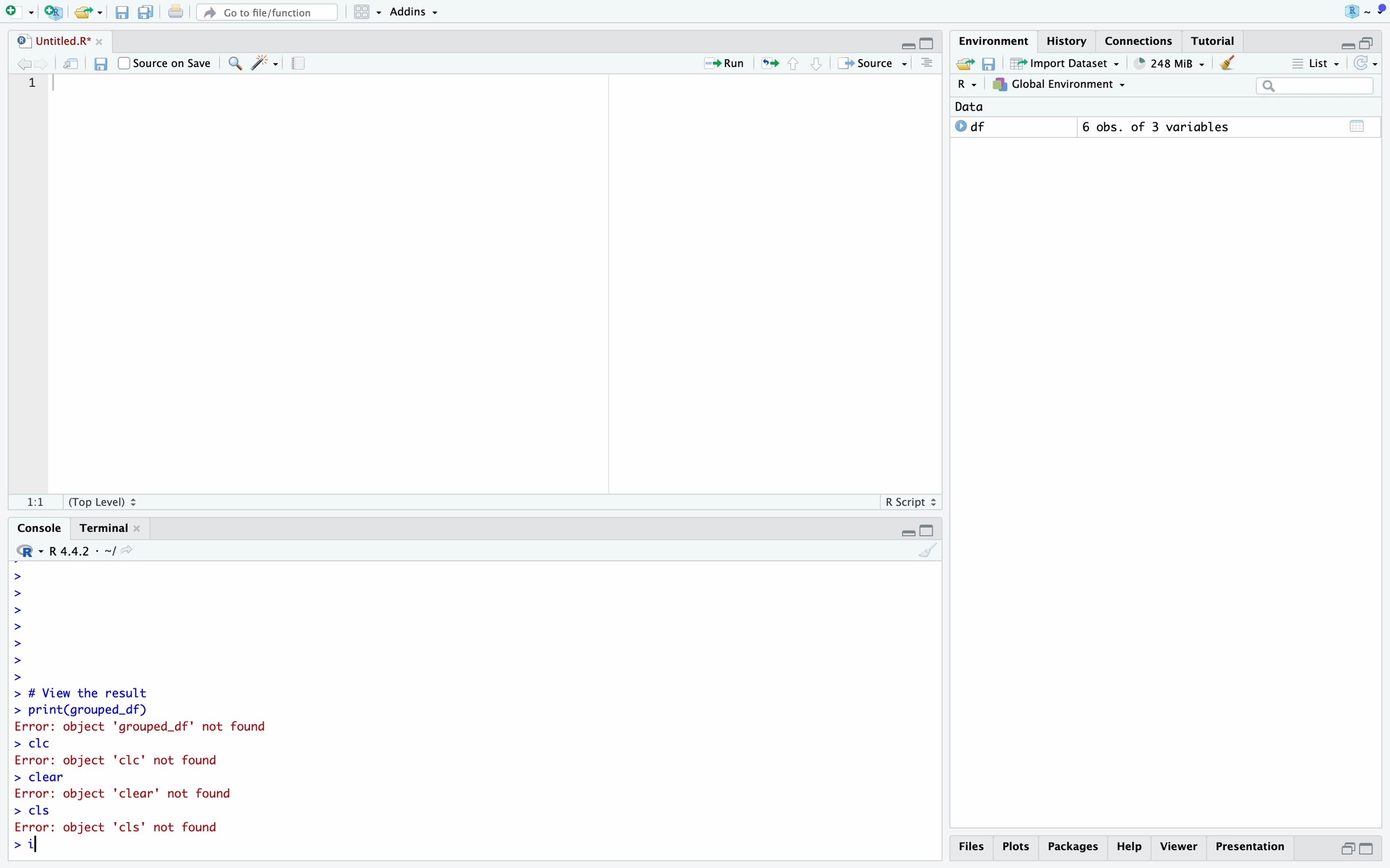  I want to click on Hide, so click(906, 531).